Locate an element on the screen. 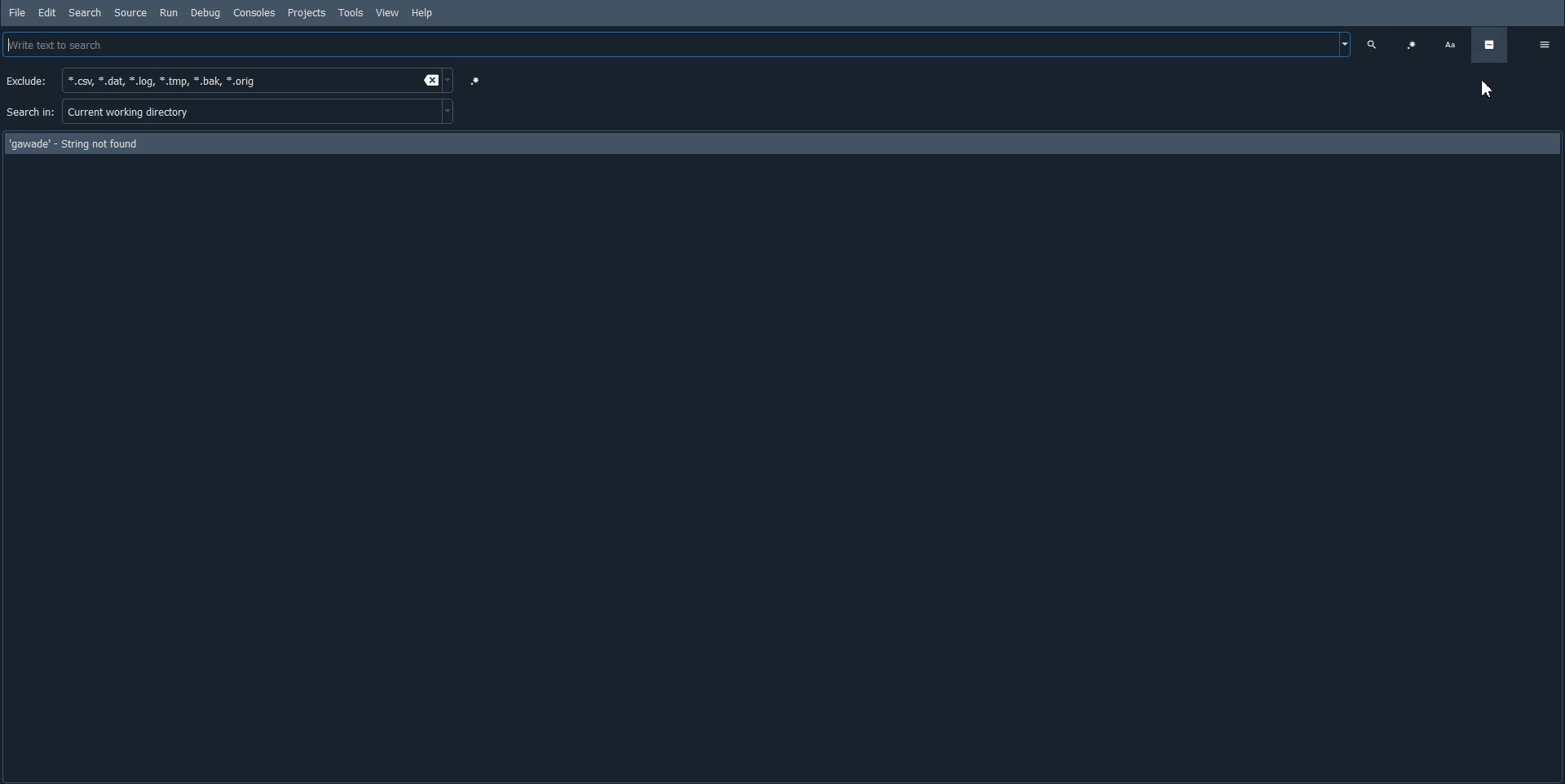 The width and height of the screenshot is (1565, 784). Cursor is located at coordinates (1492, 90).